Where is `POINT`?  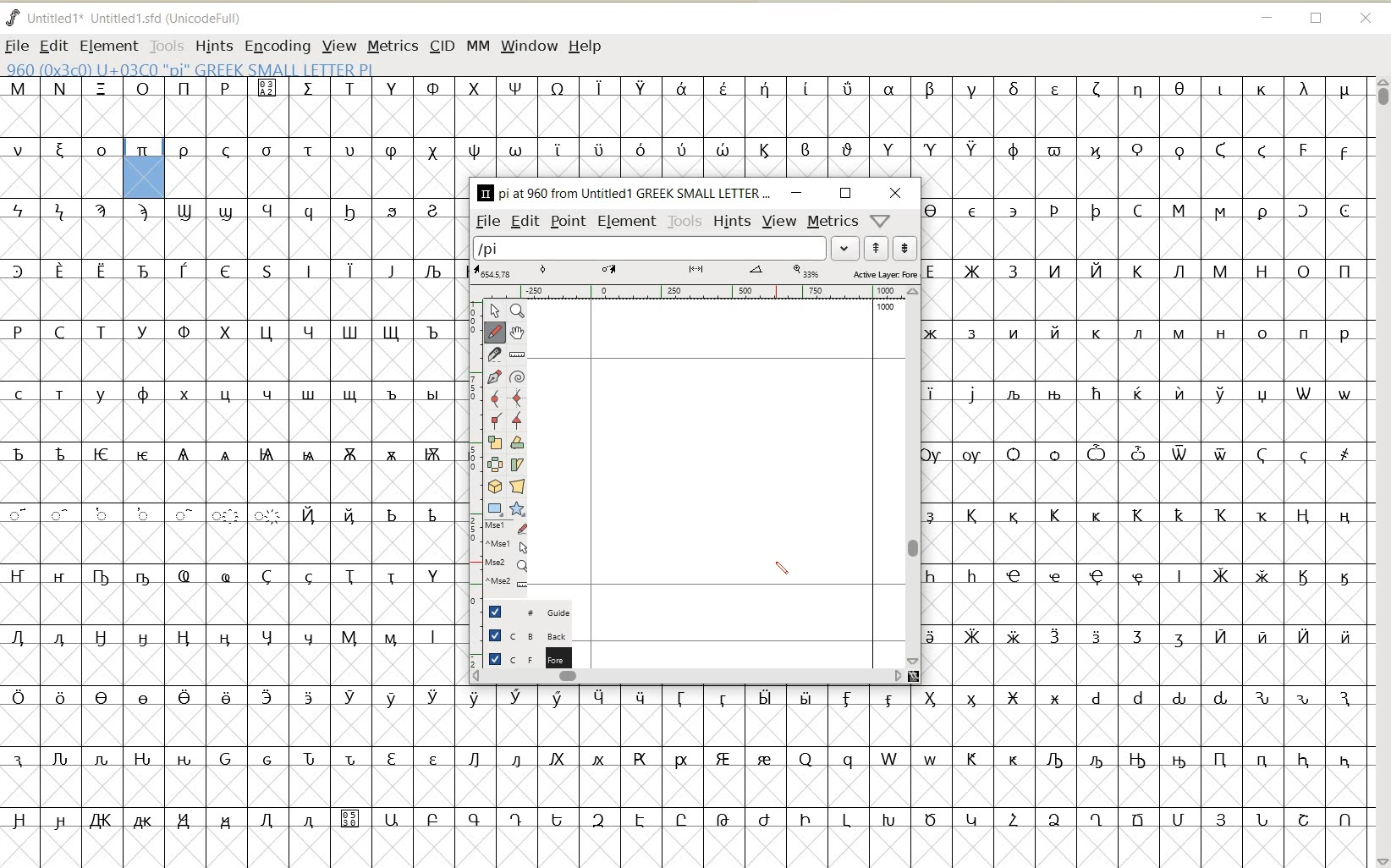 POINT is located at coordinates (568, 222).